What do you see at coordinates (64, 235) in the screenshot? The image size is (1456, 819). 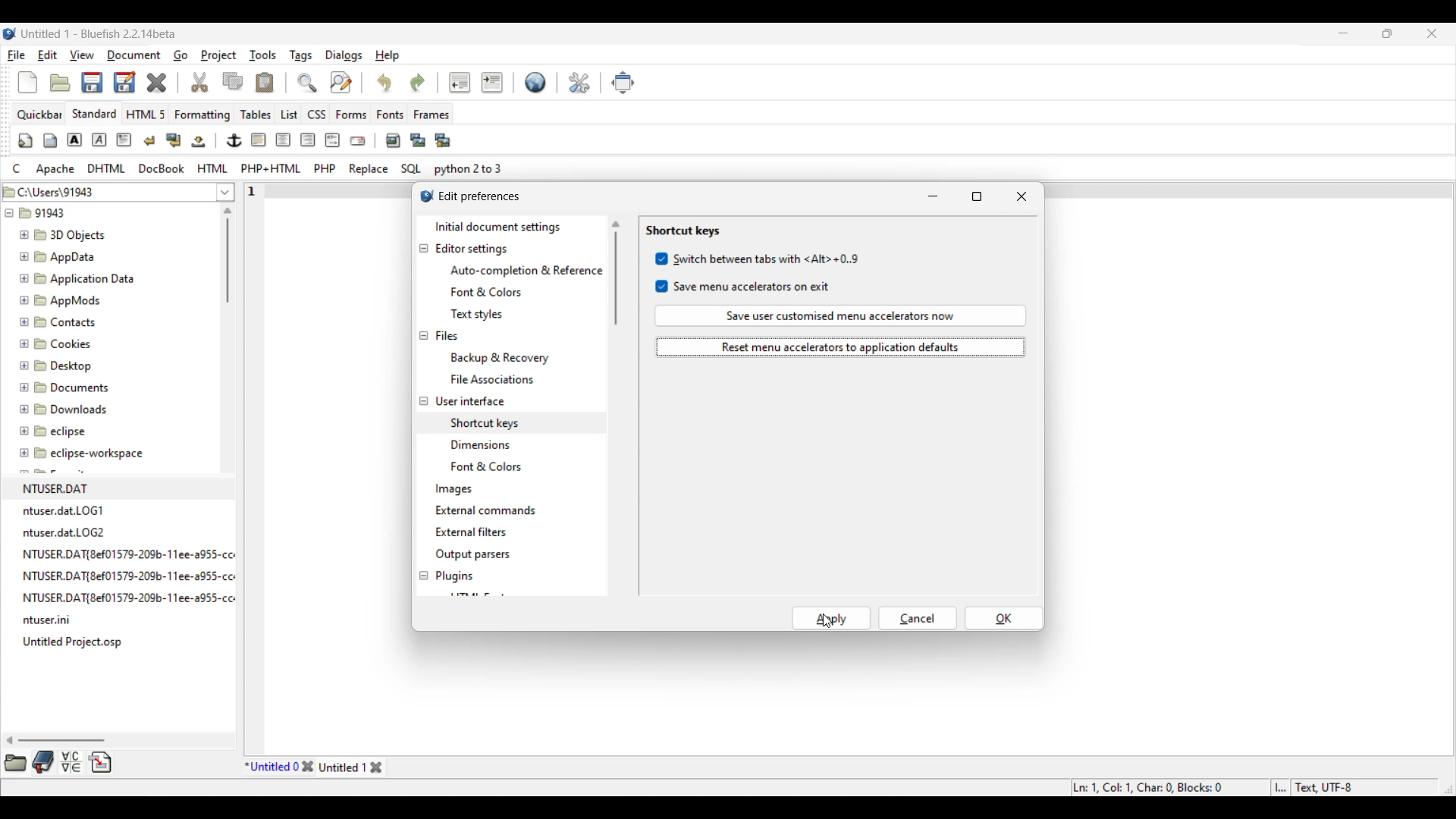 I see `3D Objects` at bounding box center [64, 235].